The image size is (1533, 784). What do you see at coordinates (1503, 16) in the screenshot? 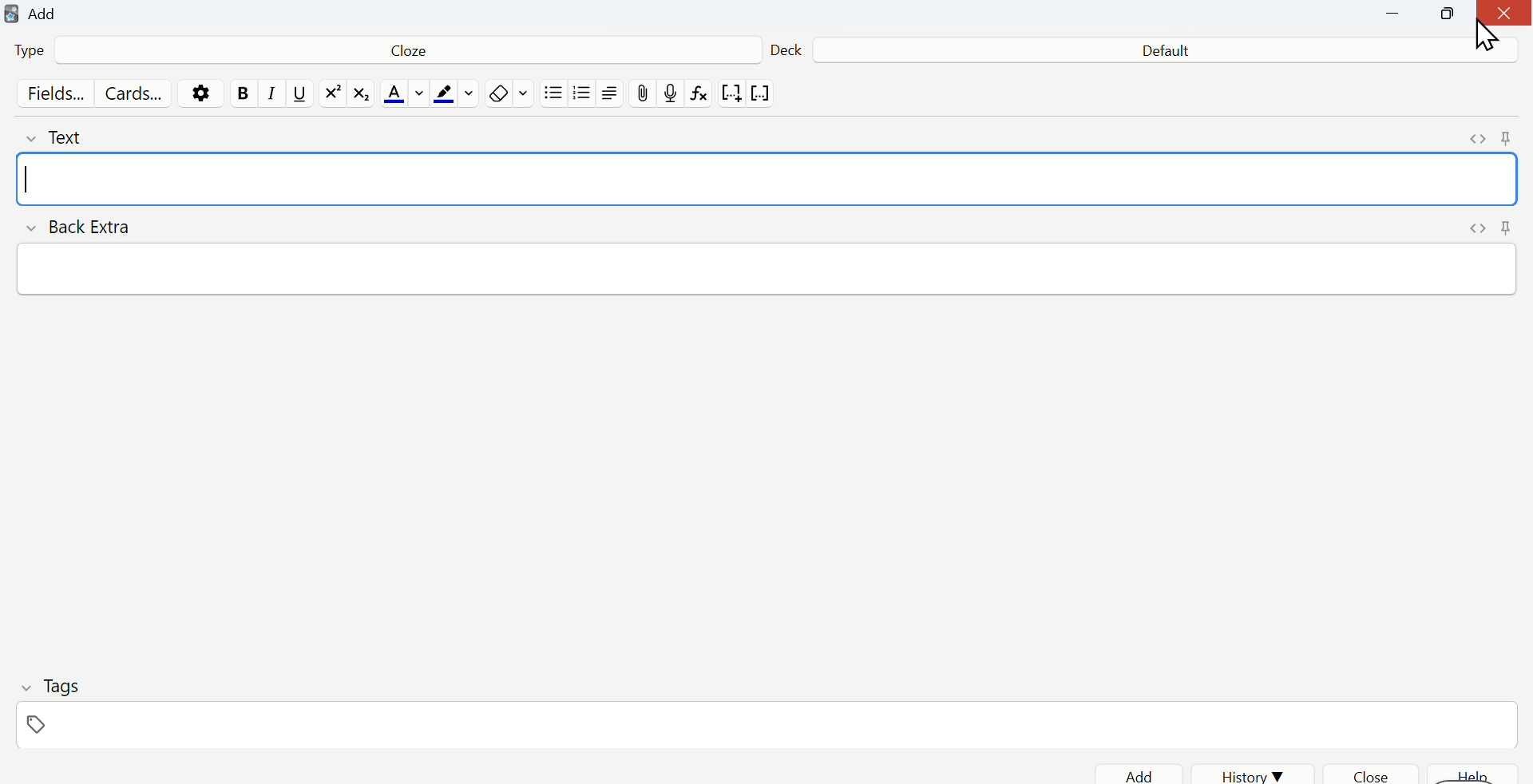
I see `Close` at bounding box center [1503, 16].